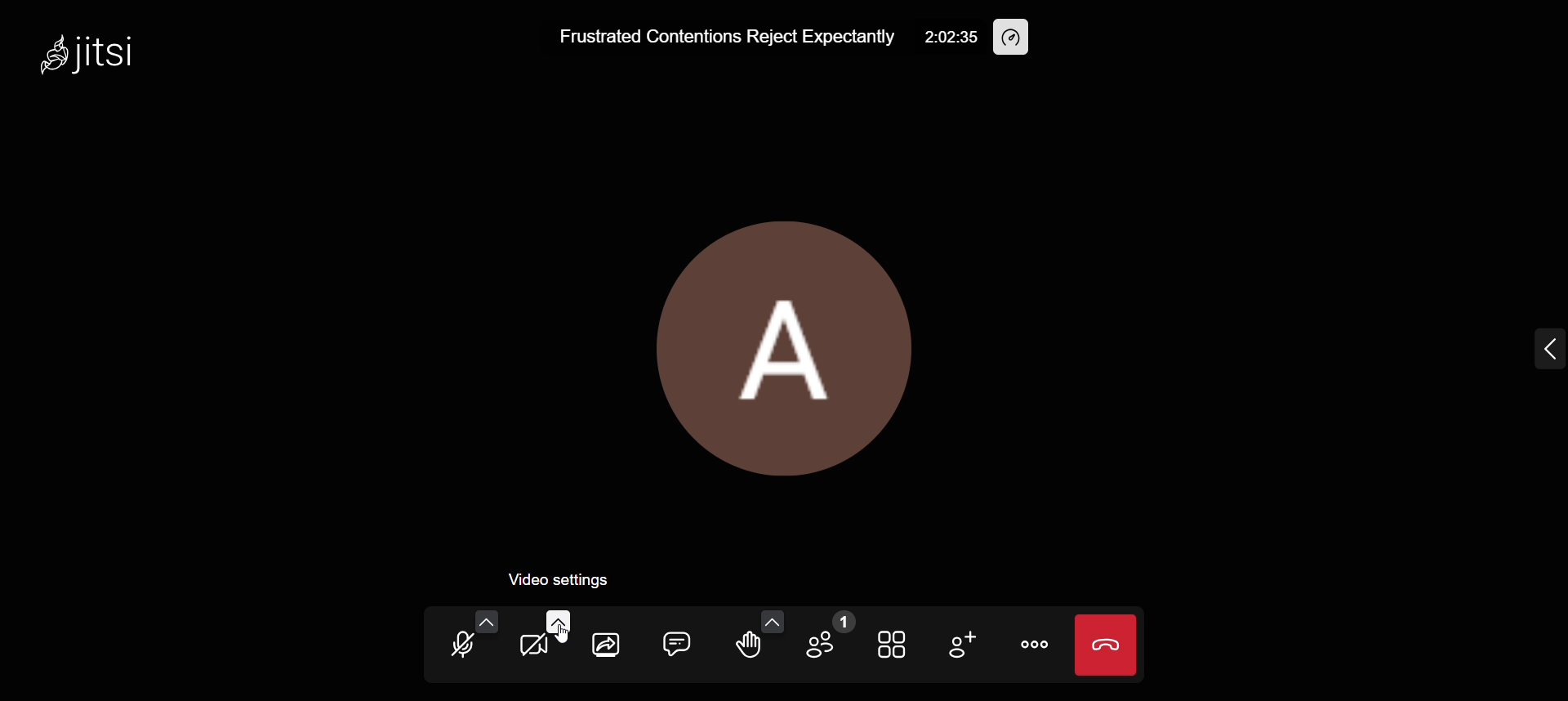  I want to click on display picture, so click(785, 346).